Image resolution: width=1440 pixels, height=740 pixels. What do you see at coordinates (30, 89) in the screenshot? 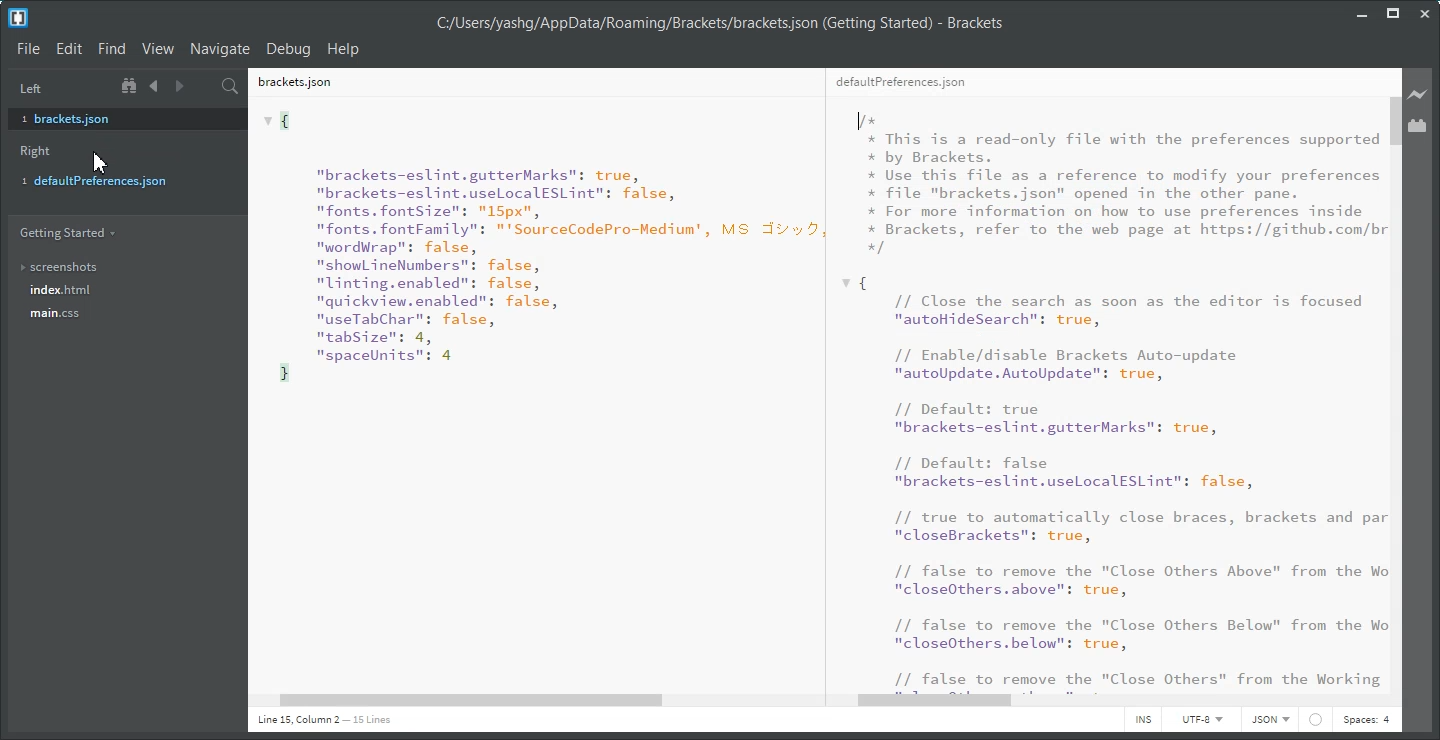
I see `Left Panel` at bounding box center [30, 89].